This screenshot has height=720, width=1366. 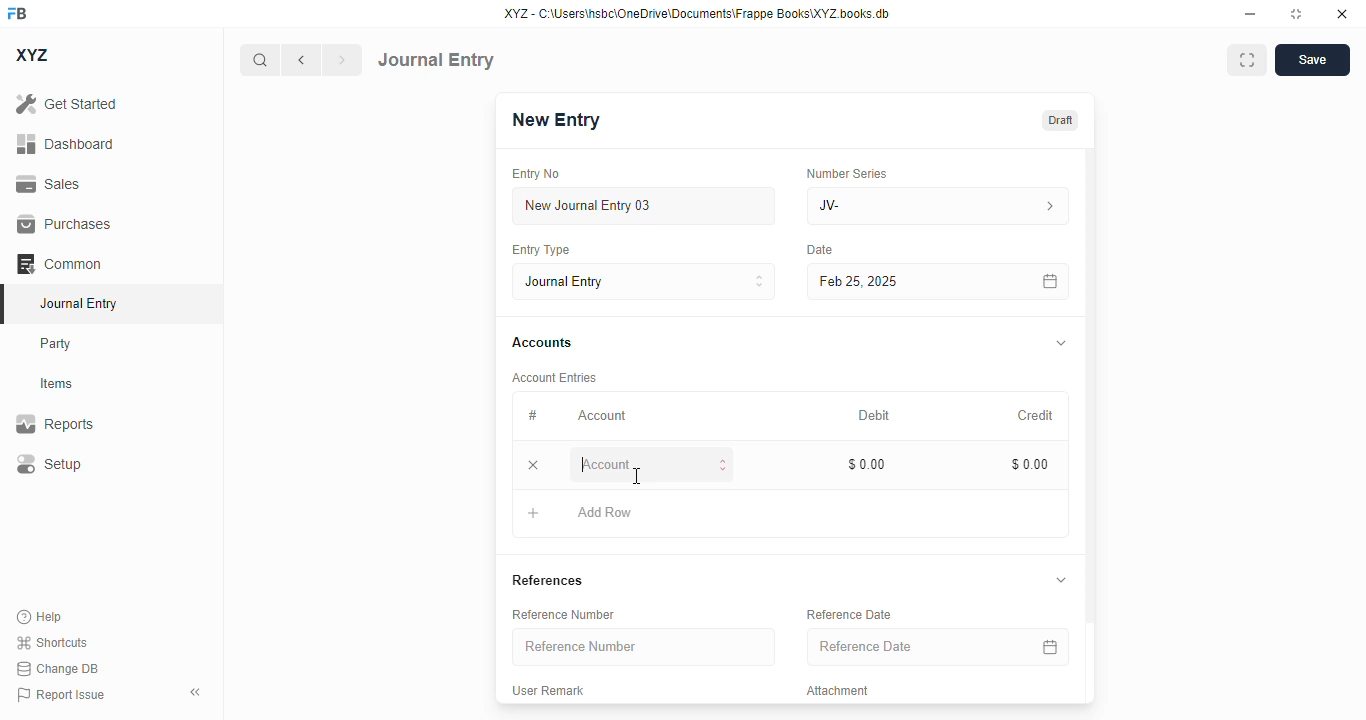 What do you see at coordinates (653, 463) in the screenshot?
I see `account - typing` at bounding box center [653, 463].